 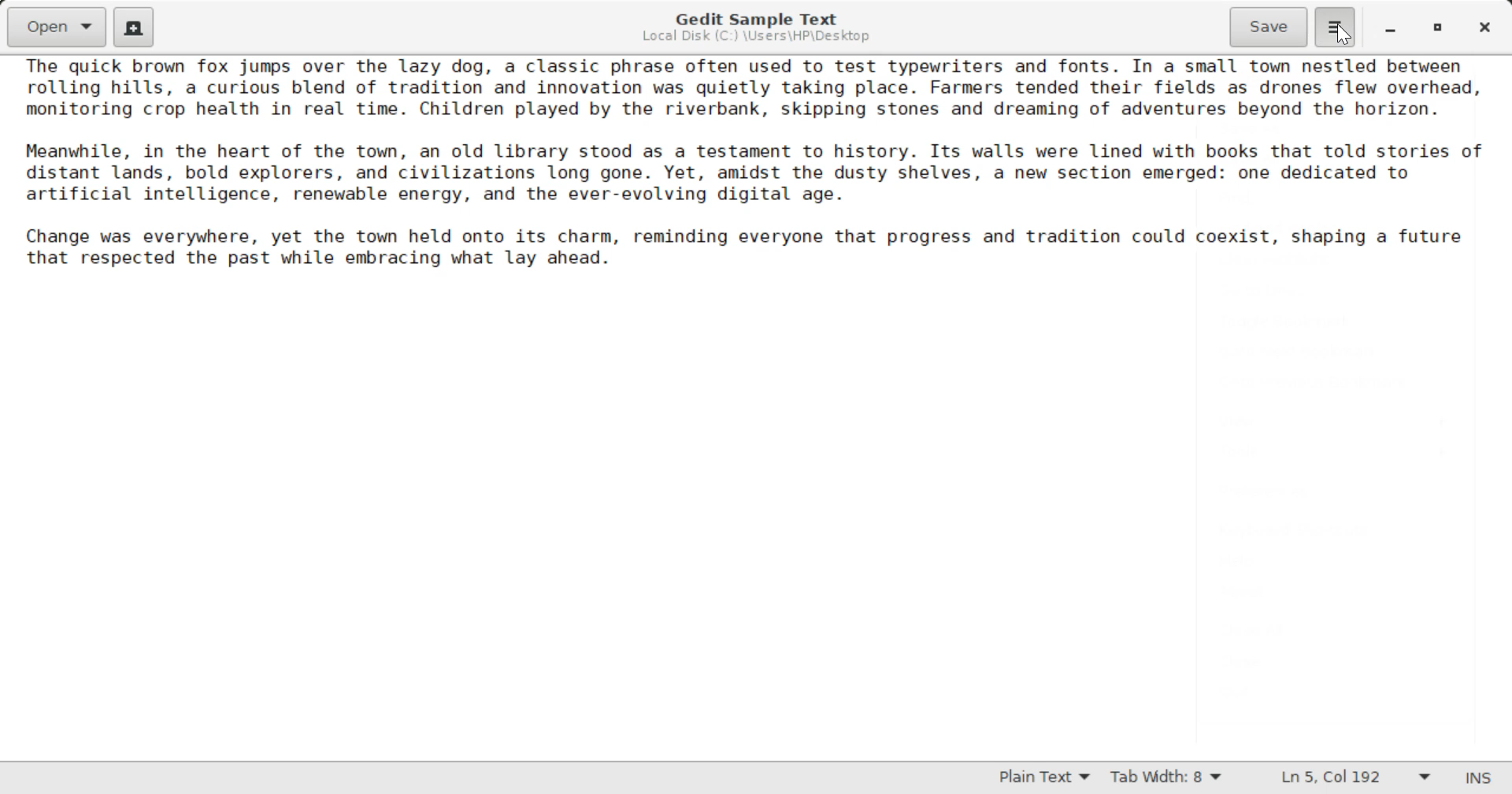 I want to click on Create Documents, so click(x=134, y=25).